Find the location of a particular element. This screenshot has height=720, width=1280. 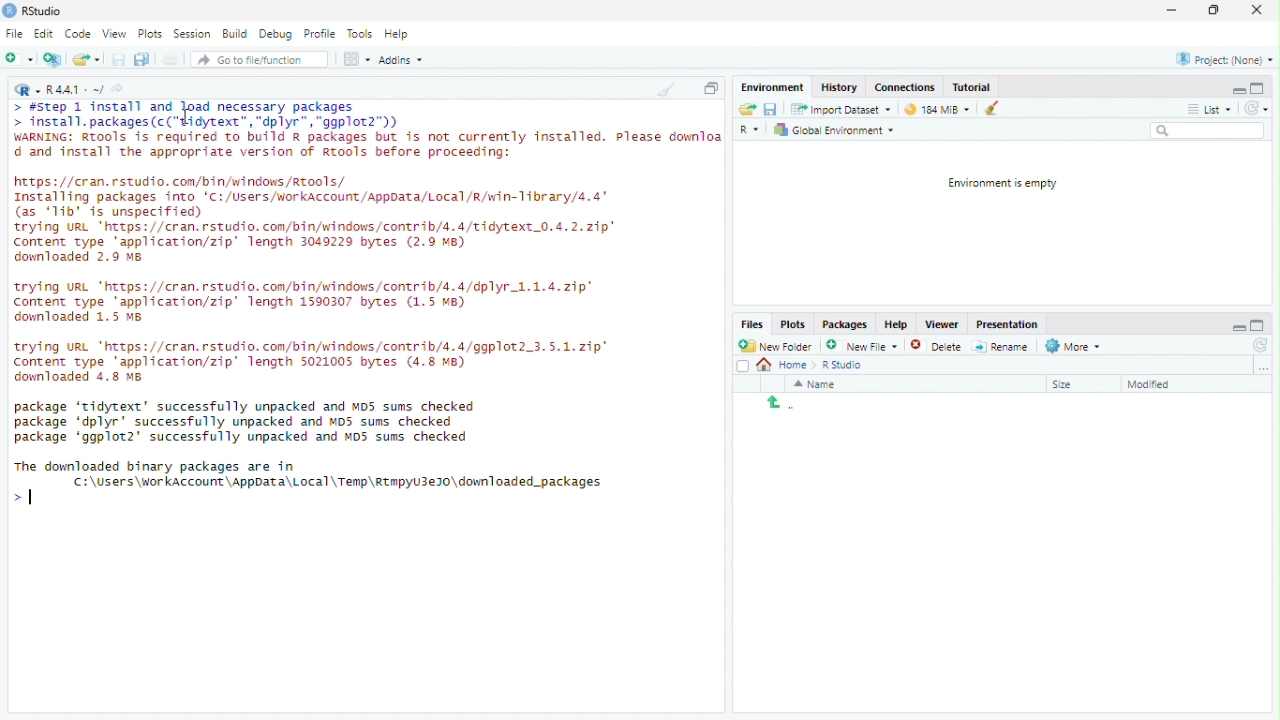

Environment is empty is located at coordinates (997, 184).